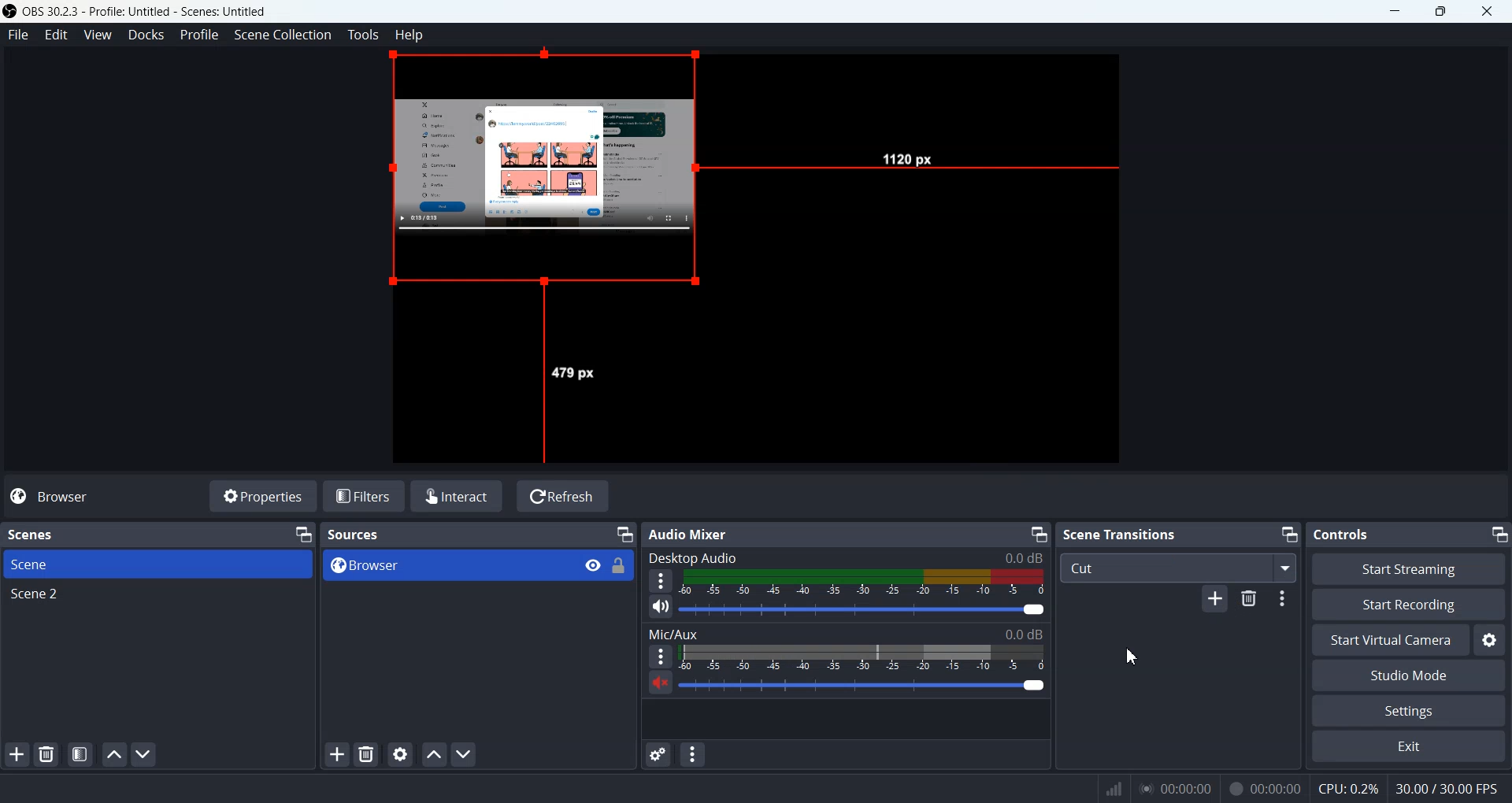  I want to click on Volume Adjuster, so click(862, 686).